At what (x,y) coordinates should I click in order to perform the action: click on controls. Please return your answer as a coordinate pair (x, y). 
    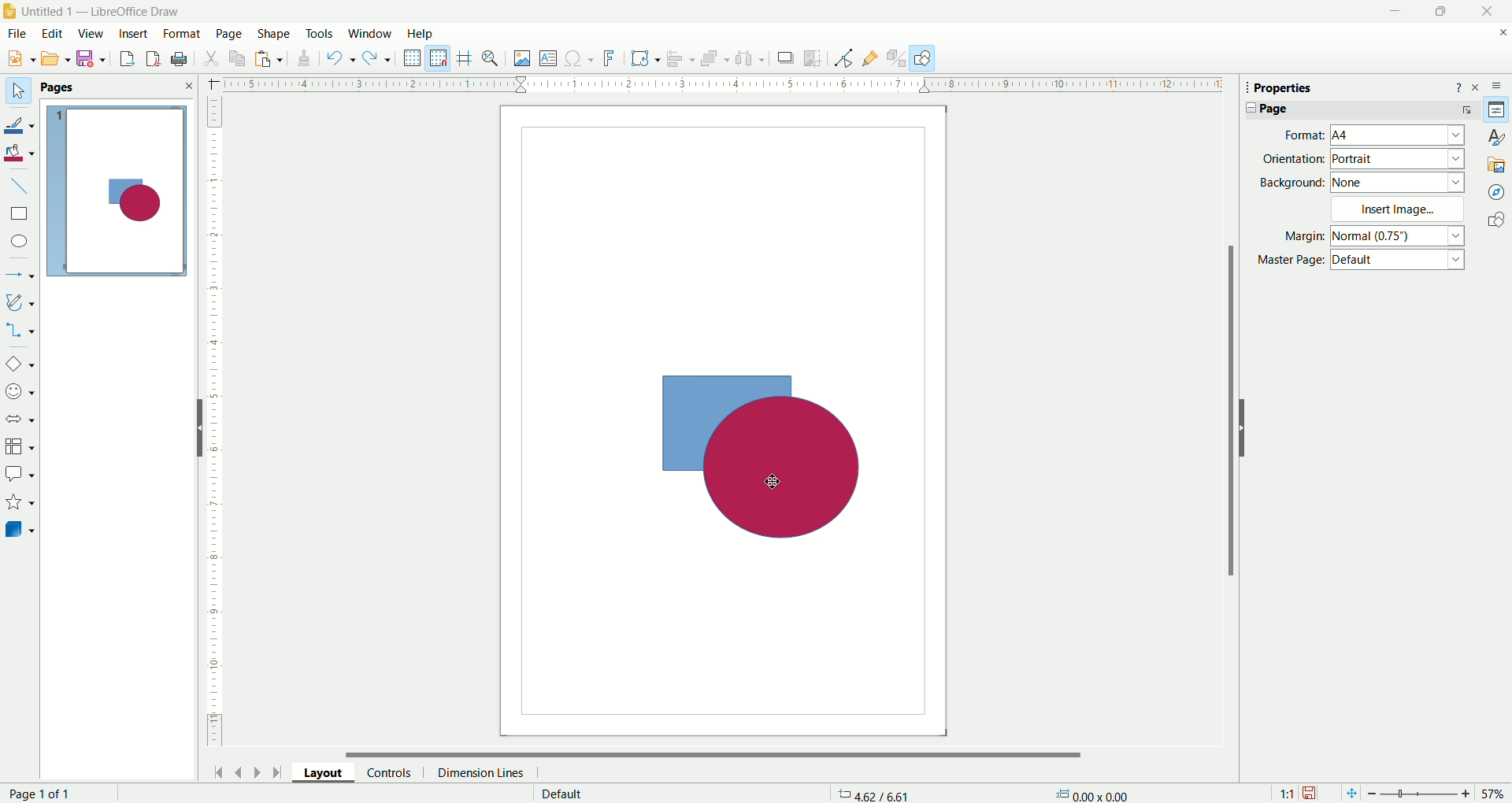
    Looking at the image, I should click on (389, 772).